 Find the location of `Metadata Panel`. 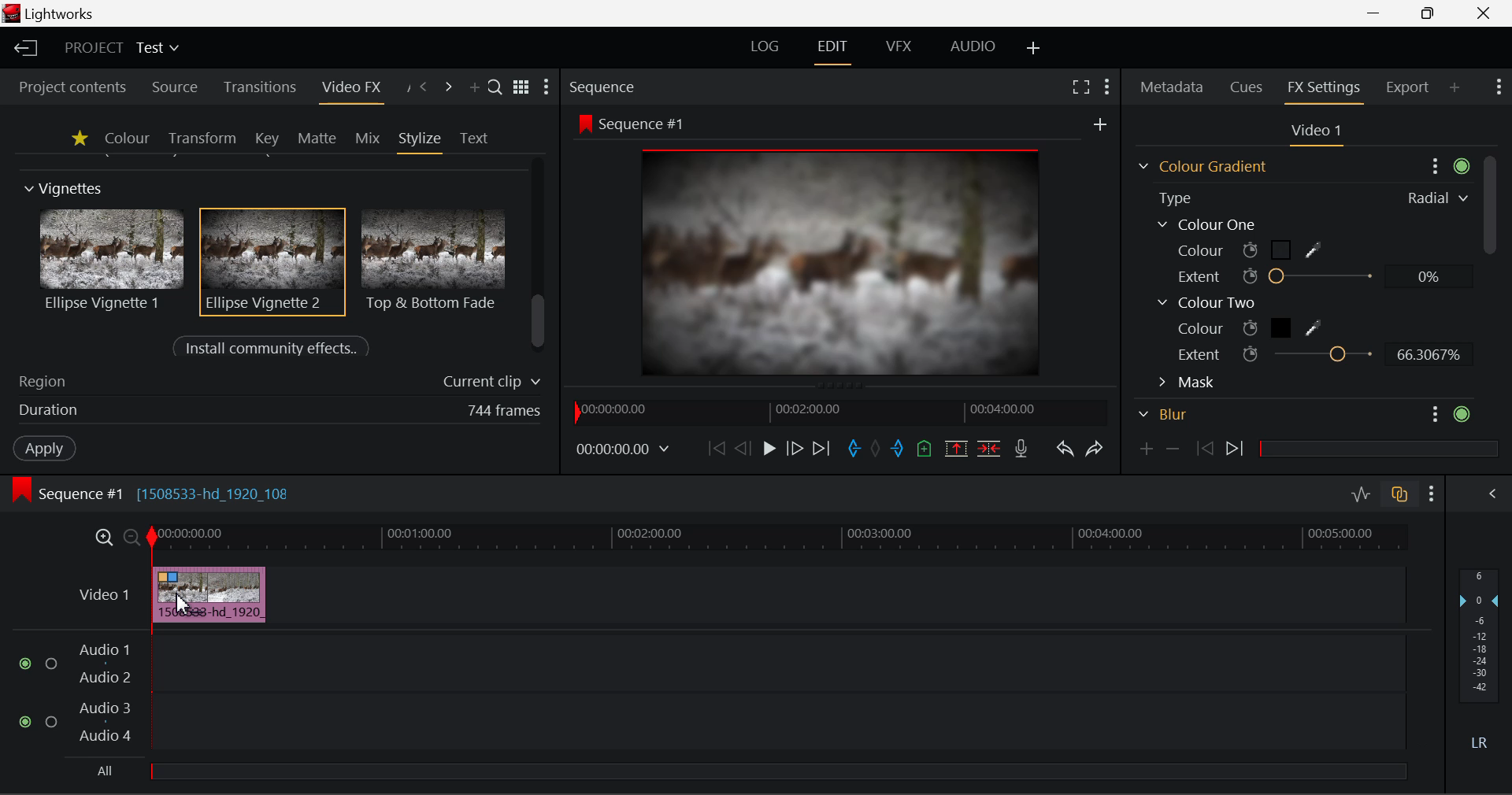

Metadata Panel is located at coordinates (1170, 88).